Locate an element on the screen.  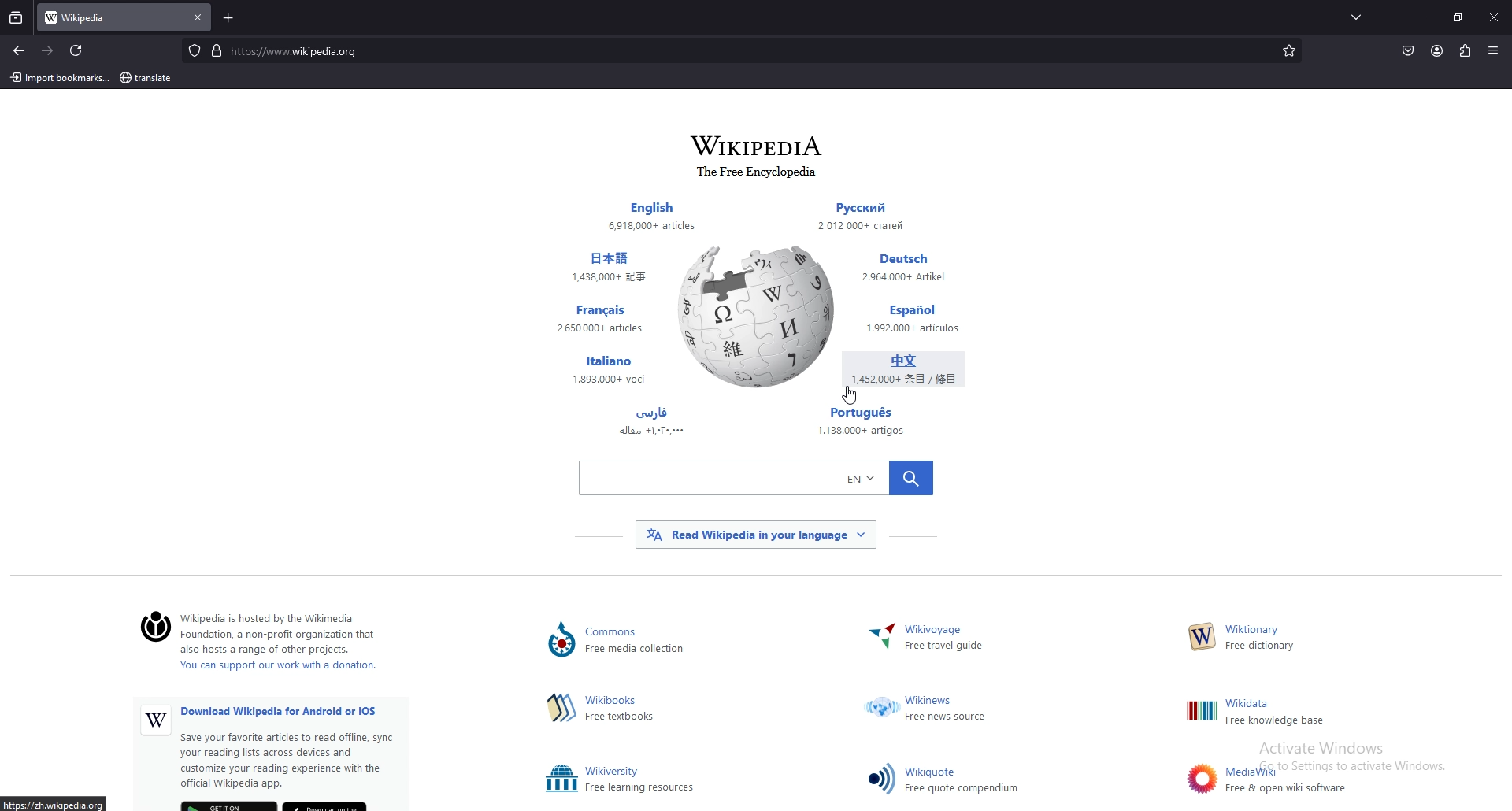
 is located at coordinates (915, 369).